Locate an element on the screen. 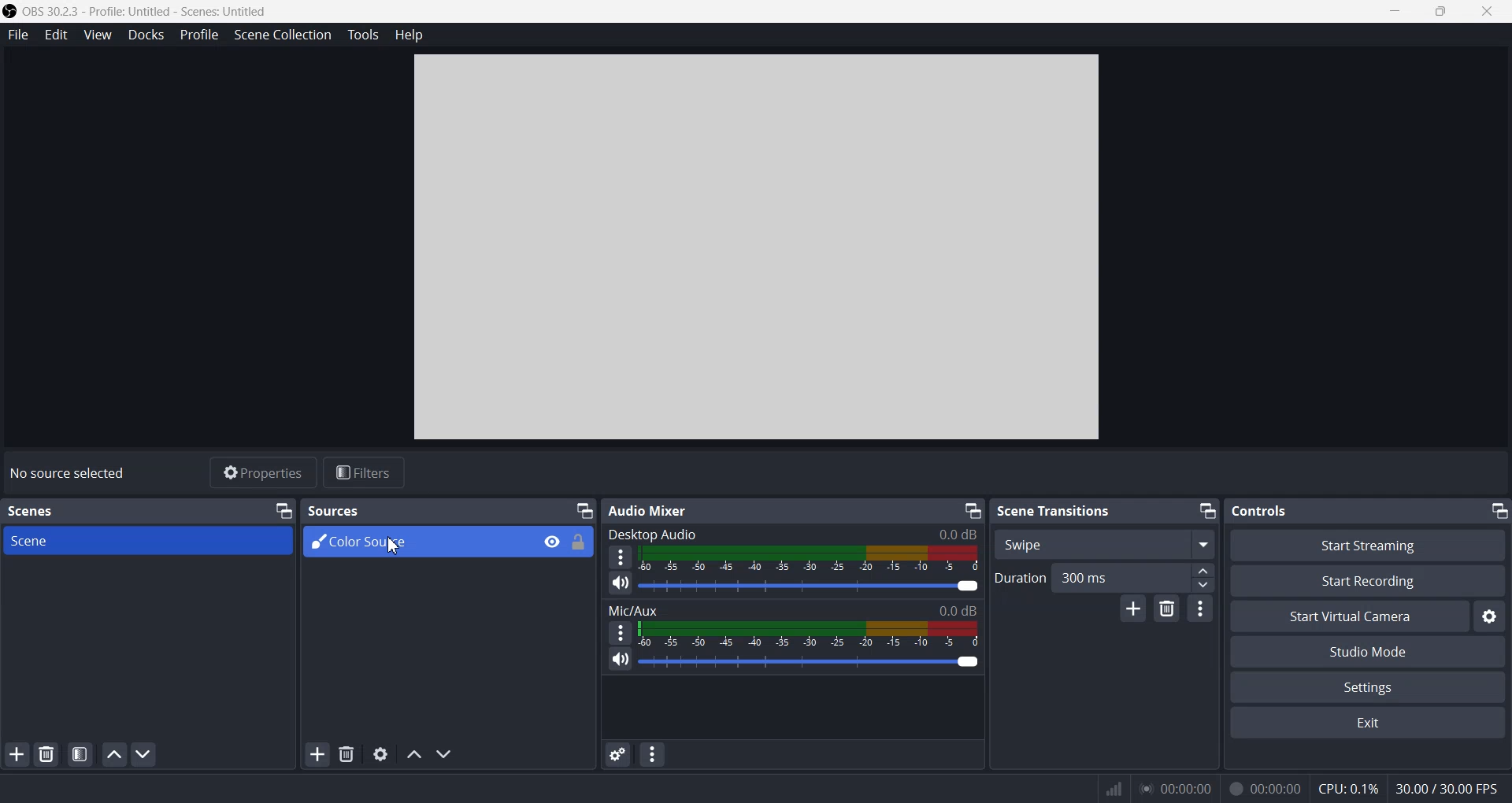  Desktop Audio 0.0 dB is located at coordinates (794, 531).